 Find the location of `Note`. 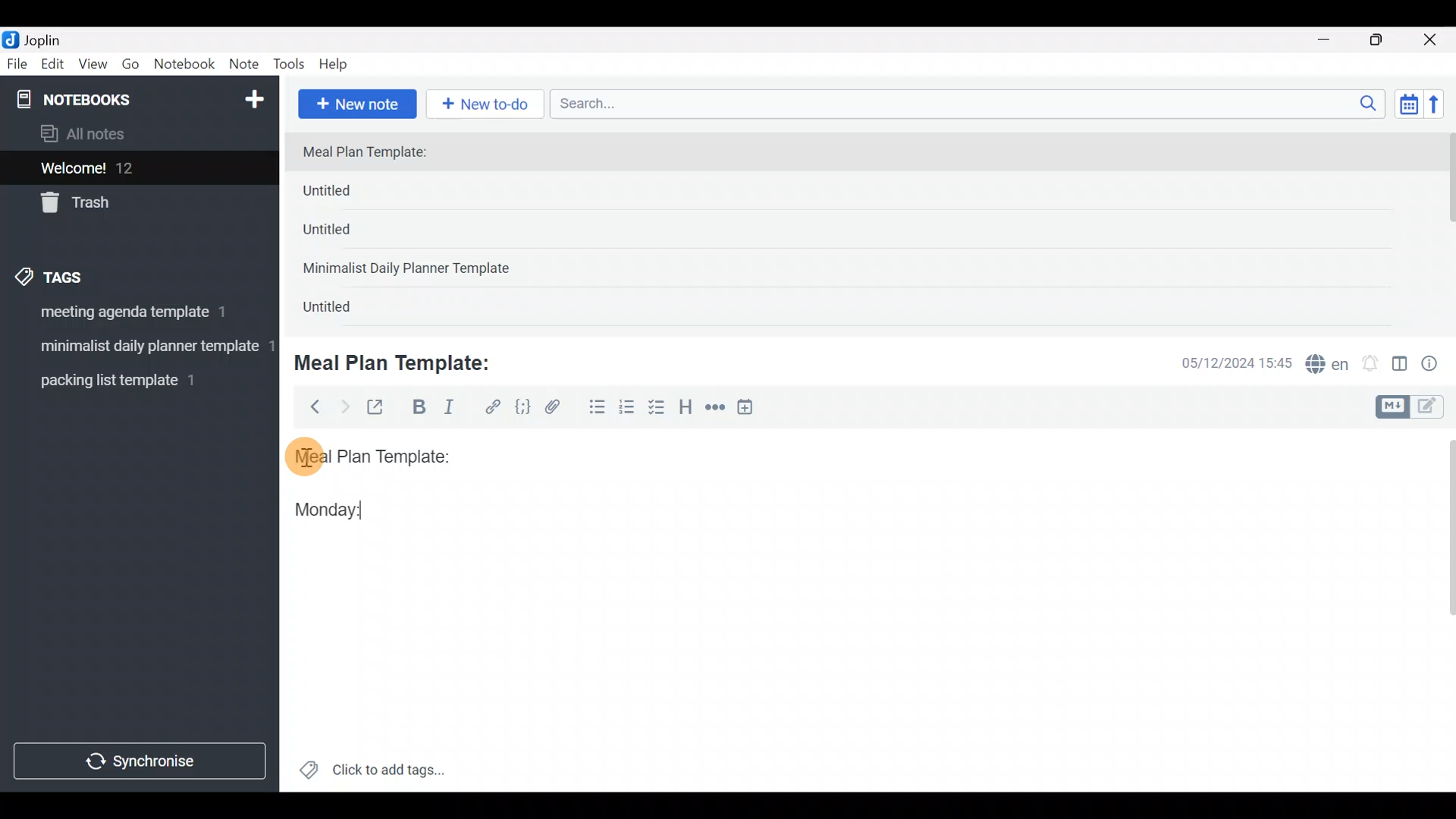

Note is located at coordinates (247, 65).